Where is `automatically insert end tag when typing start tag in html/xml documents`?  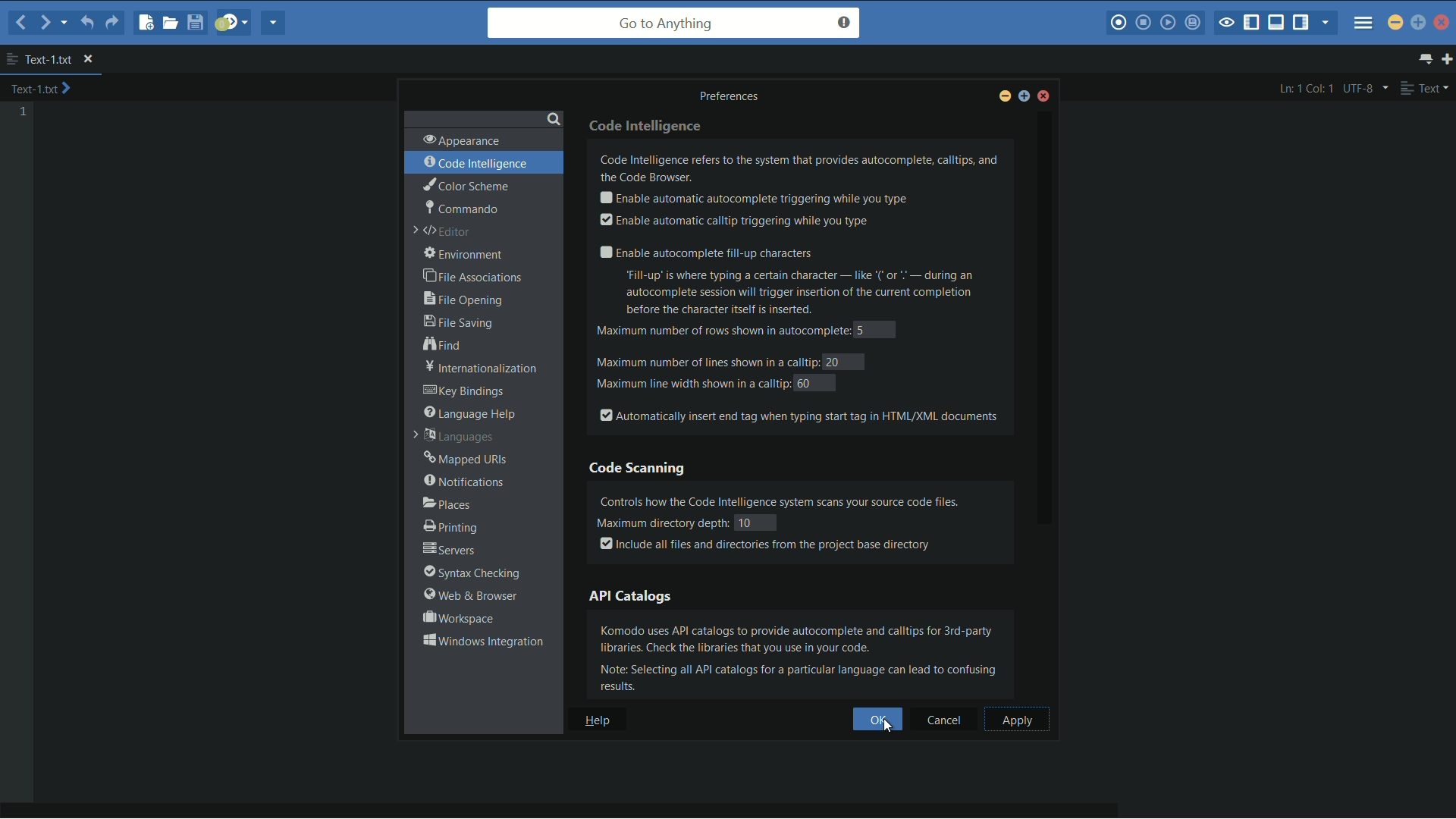
automatically insert end tag when typing start tag in html/xml documents is located at coordinates (799, 415).